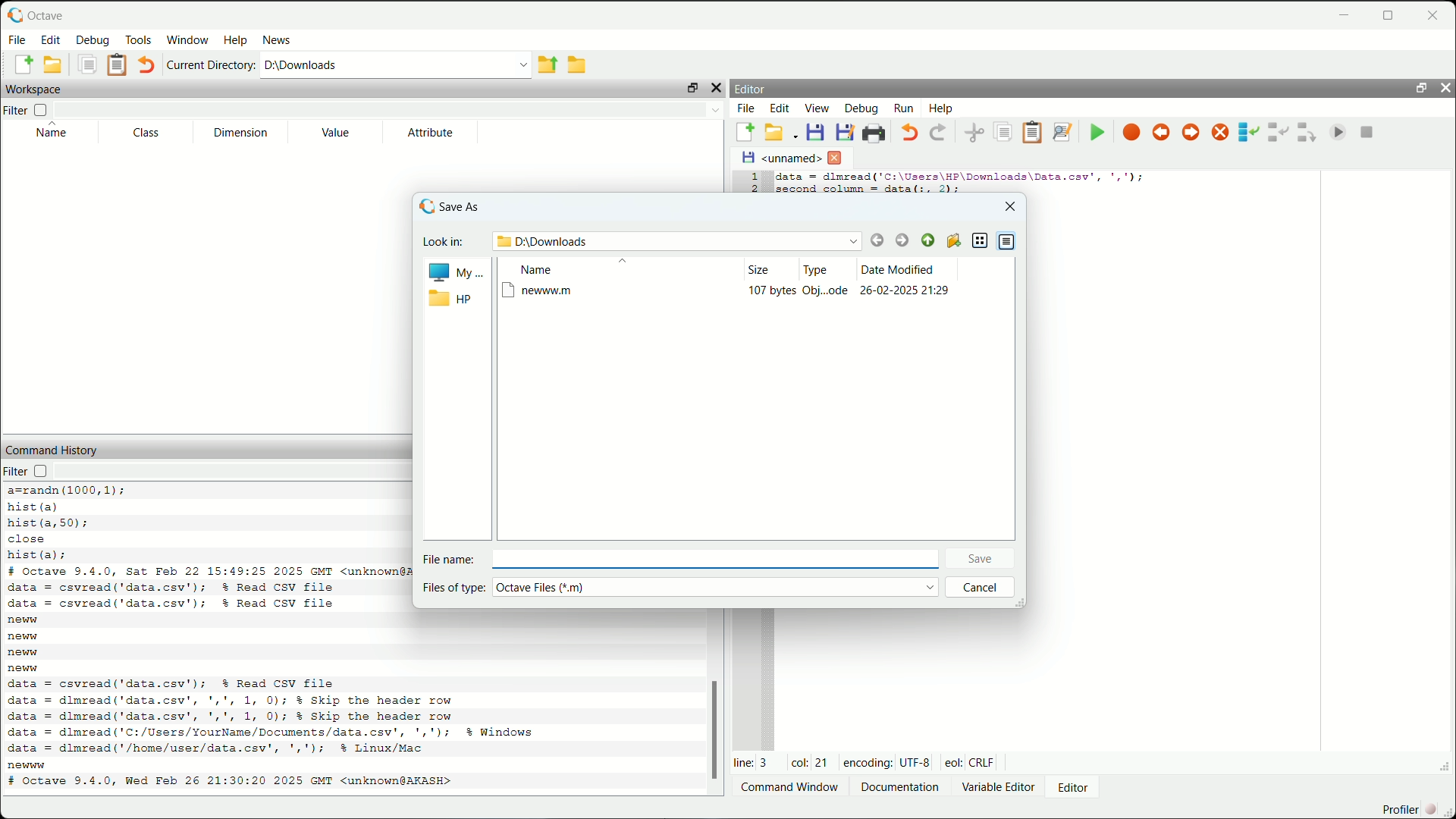 This screenshot has width=1456, height=819. I want to click on step in, so click(1278, 134).